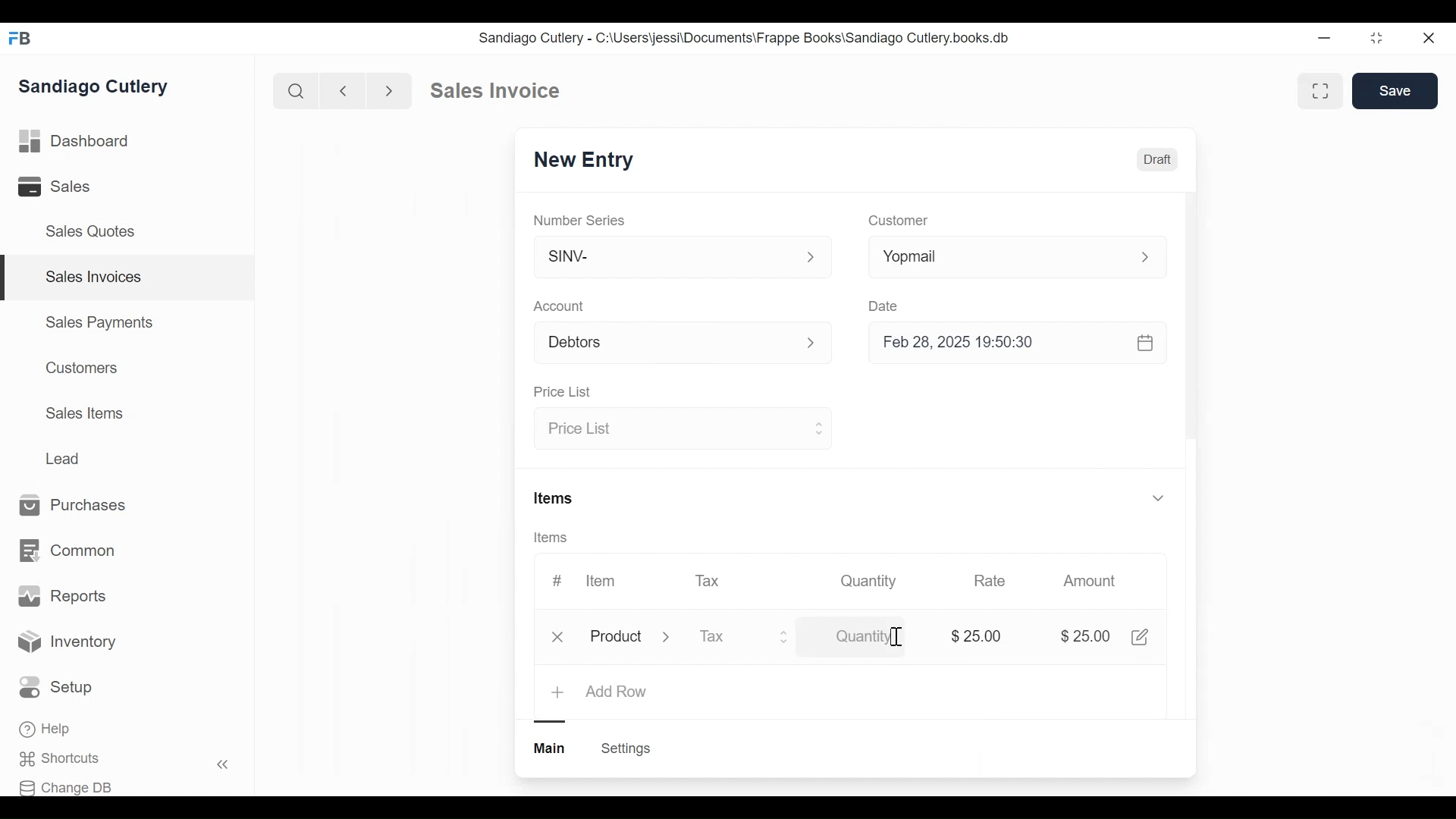  Describe the element at coordinates (65, 759) in the screenshot. I see `Shortcuts` at that location.